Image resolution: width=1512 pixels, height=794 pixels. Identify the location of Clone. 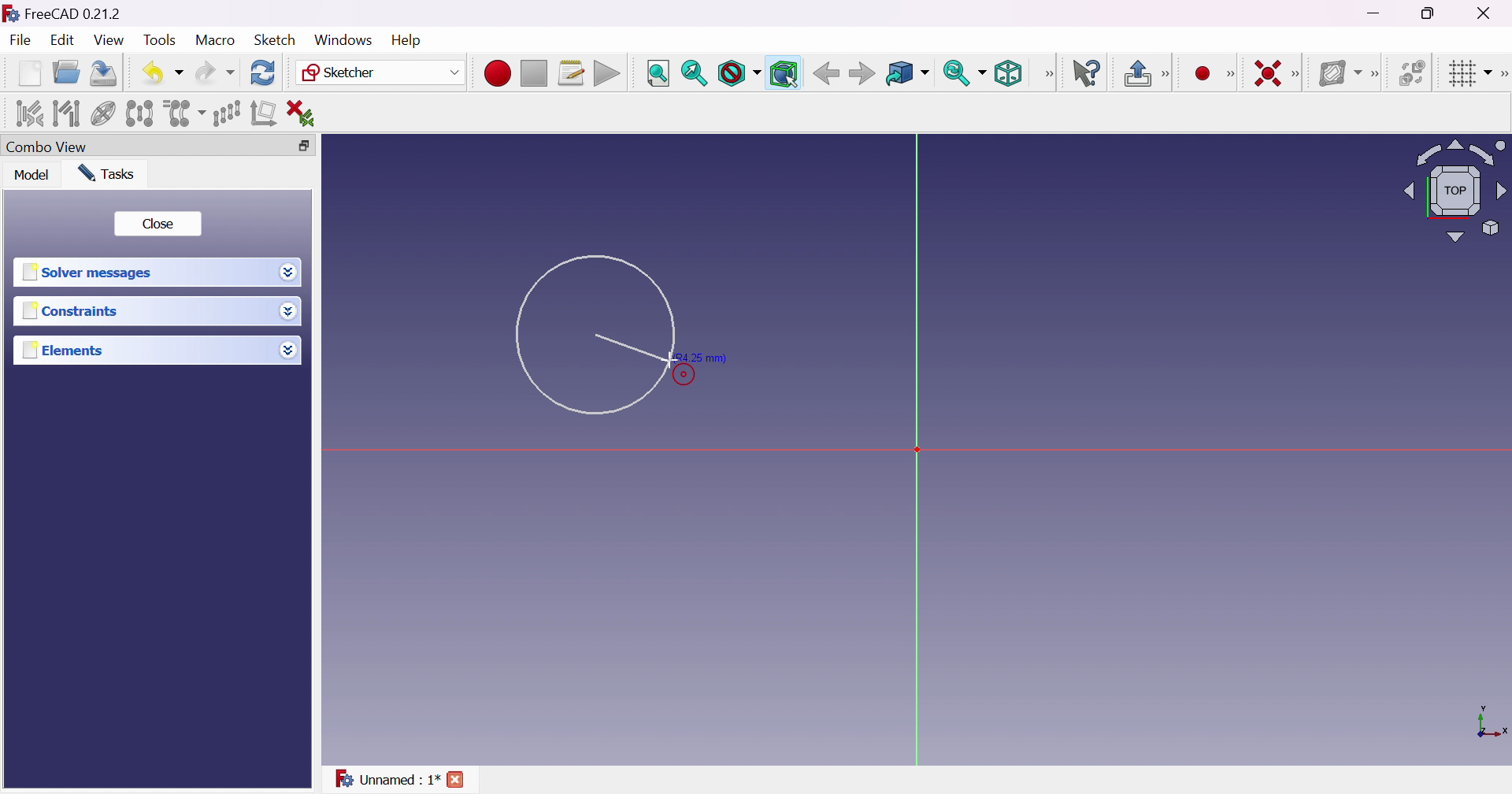
(183, 113).